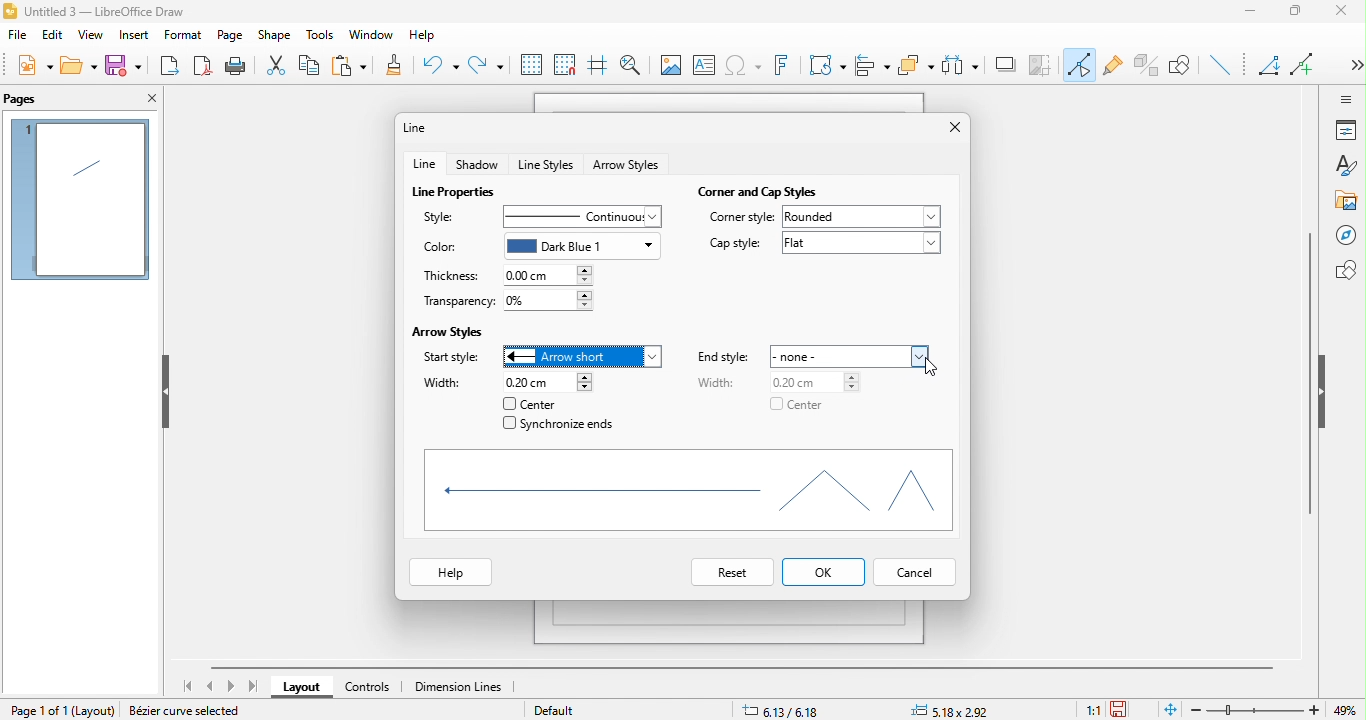  I want to click on none, so click(854, 354).